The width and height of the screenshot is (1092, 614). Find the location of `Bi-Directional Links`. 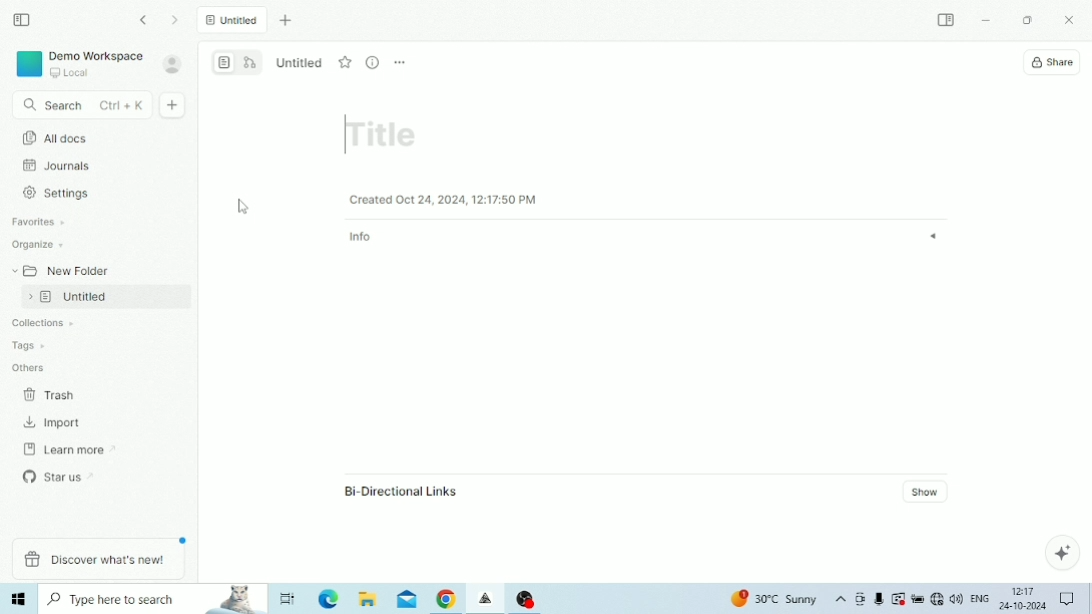

Bi-Directional Links is located at coordinates (400, 491).